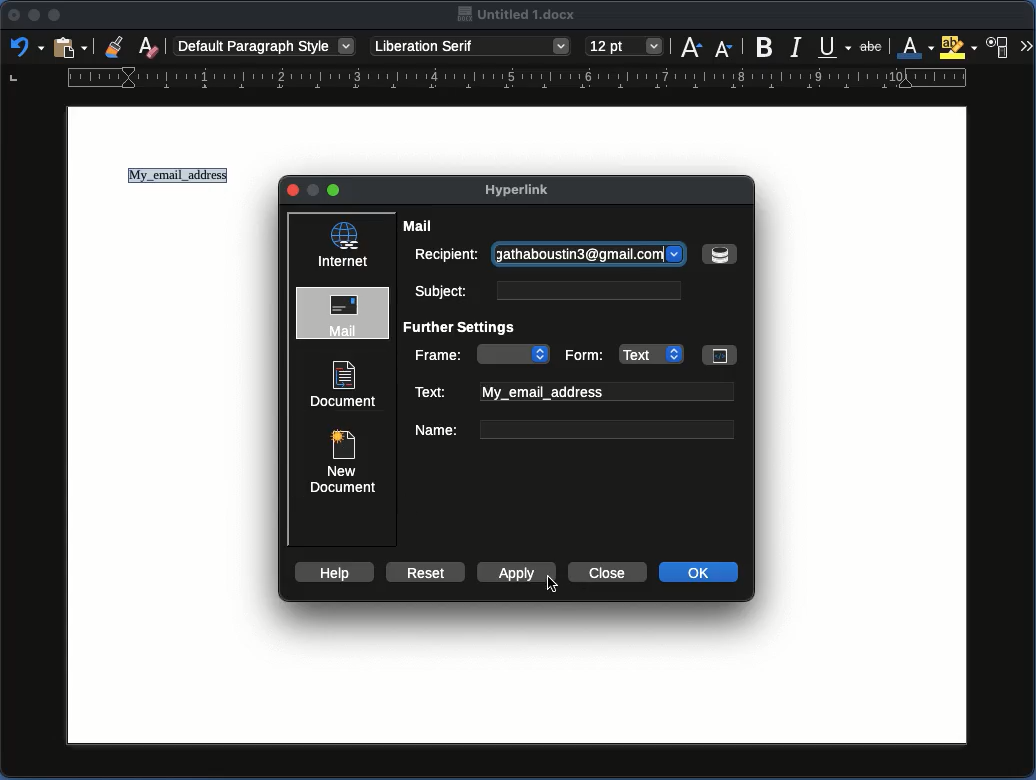 The image size is (1036, 780). Describe the element at coordinates (723, 49) in the screenshot. I see `Size decrease` at that location.